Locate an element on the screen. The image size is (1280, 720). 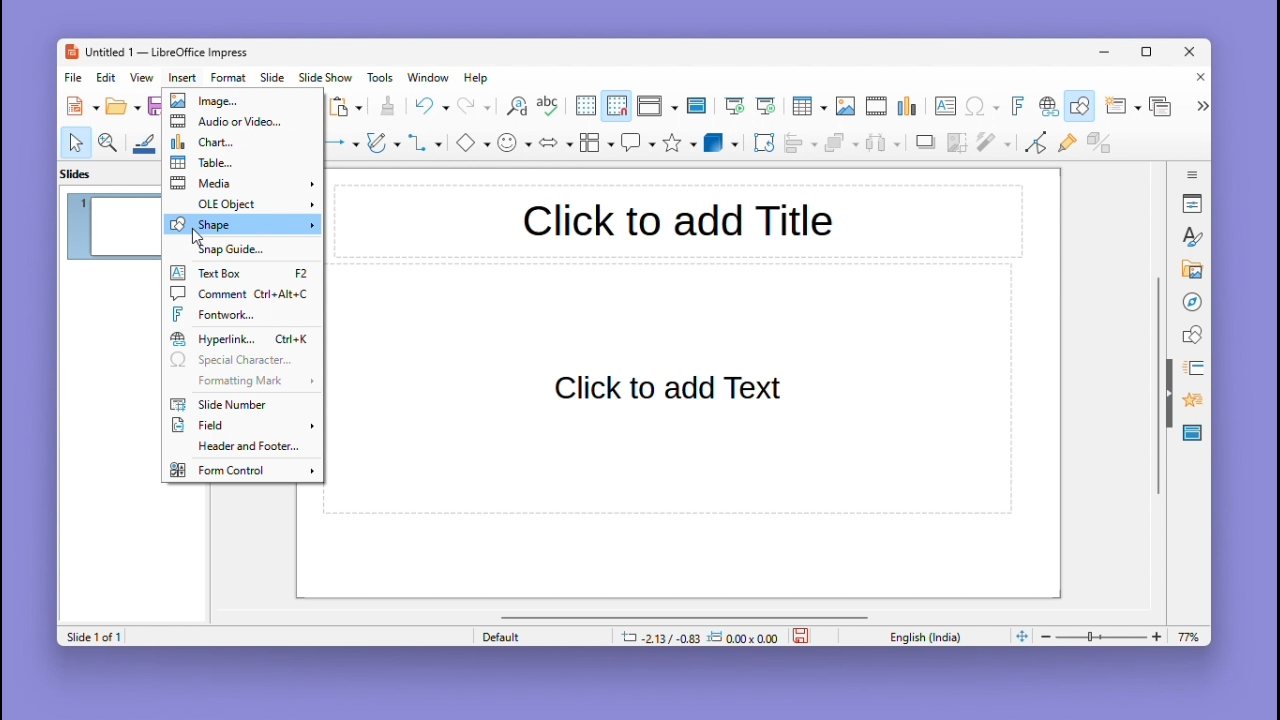
Open is located at coordinates (123, 107).